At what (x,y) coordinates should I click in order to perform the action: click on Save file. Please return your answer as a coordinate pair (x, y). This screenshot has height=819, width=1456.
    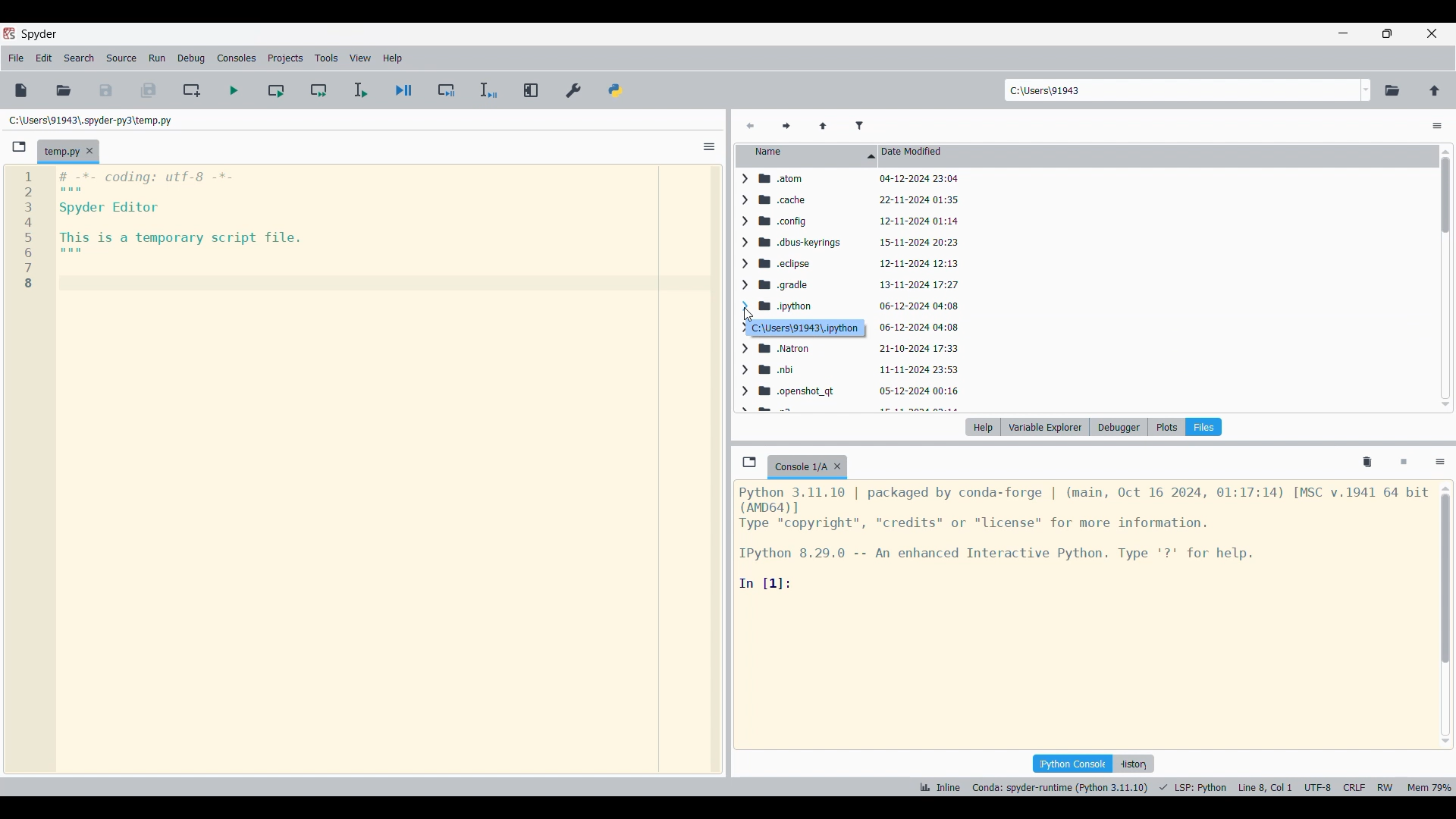
    Looking at the image, I should click on (106, 91).